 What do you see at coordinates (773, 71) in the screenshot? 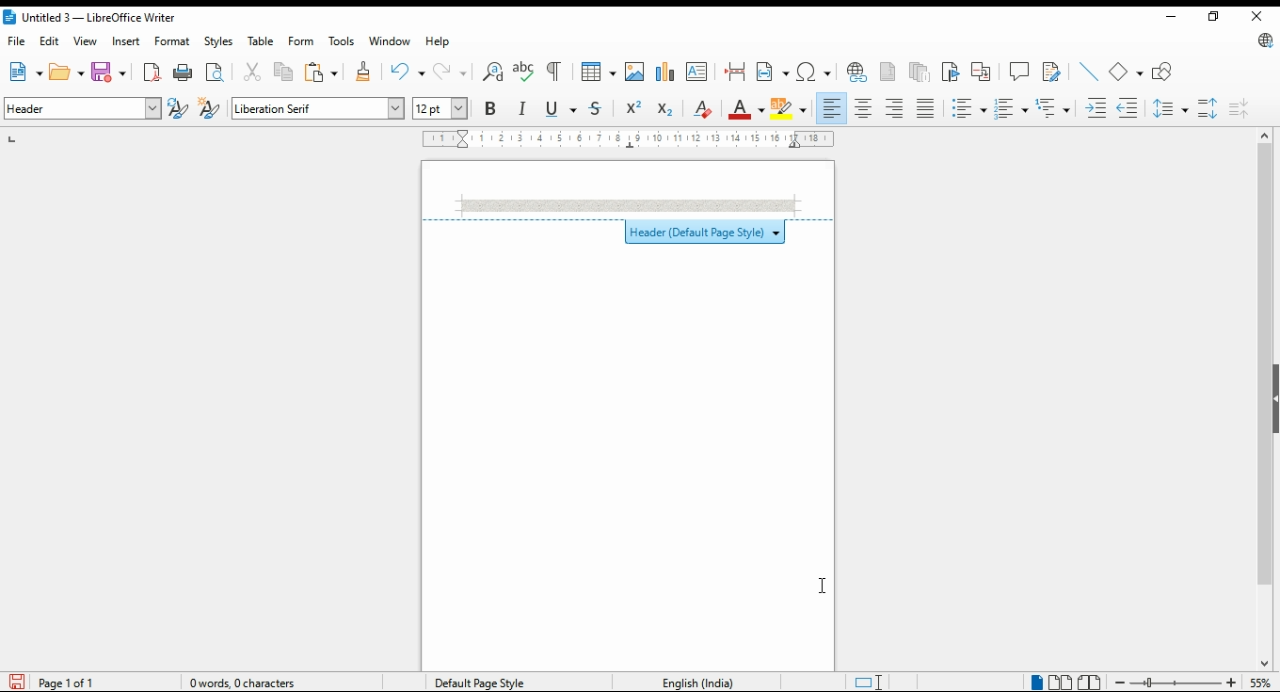
I see `insert field` at bounding box center [773, 71].